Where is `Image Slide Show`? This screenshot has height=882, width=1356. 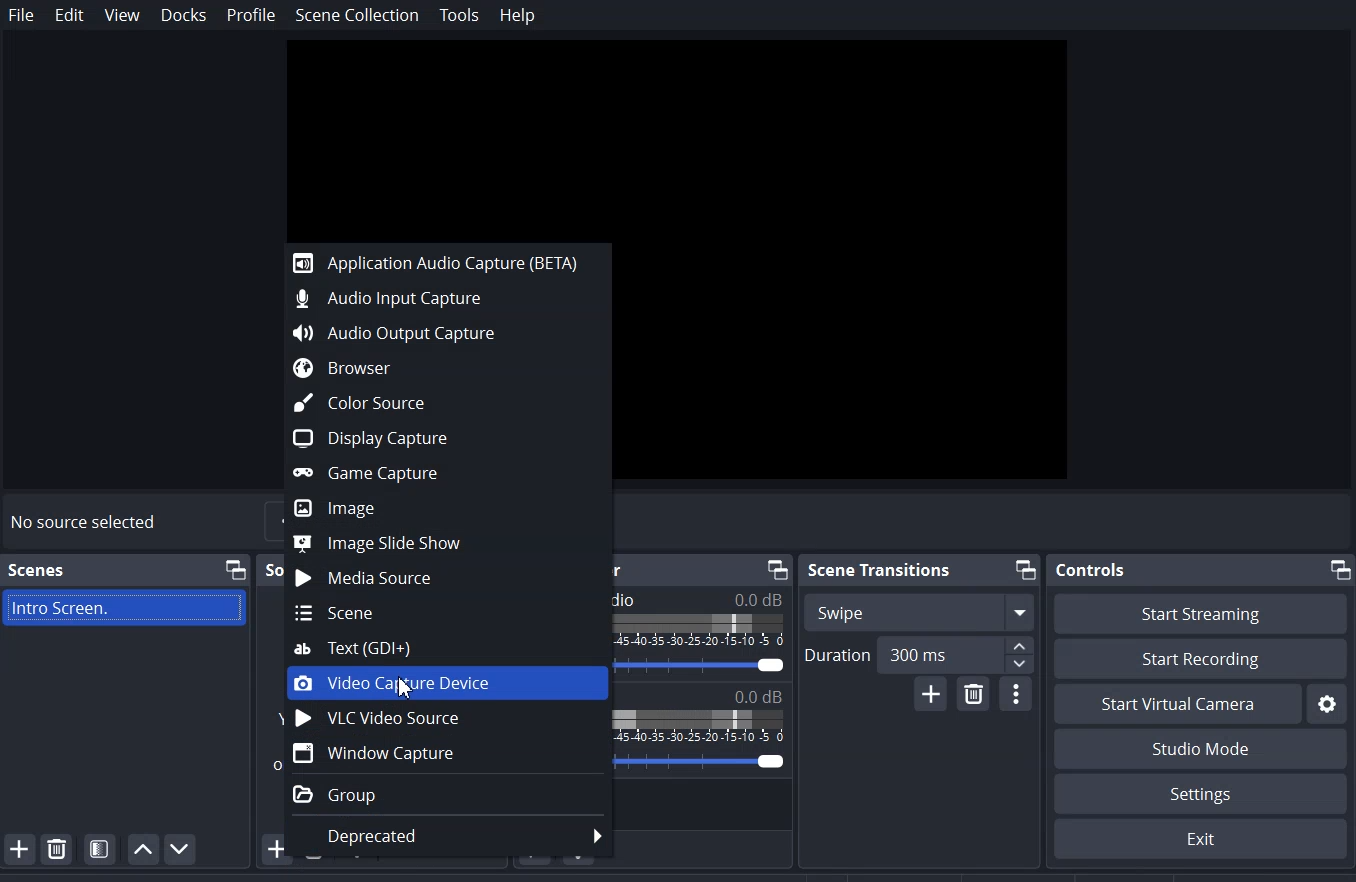 Image Slide Show is located at coordinates (438, 542).